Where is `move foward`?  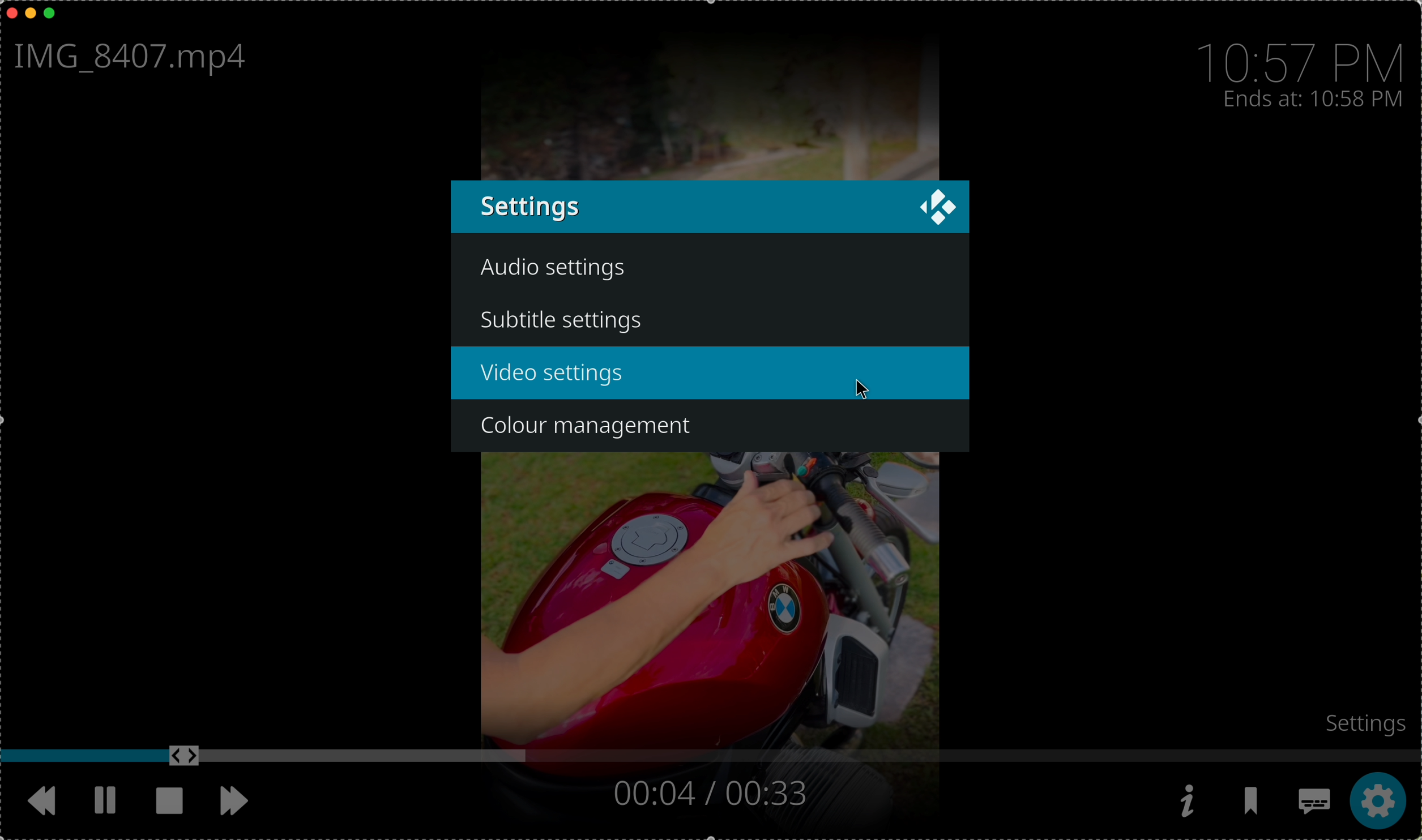 move foward is located at coordinates (234, 802).